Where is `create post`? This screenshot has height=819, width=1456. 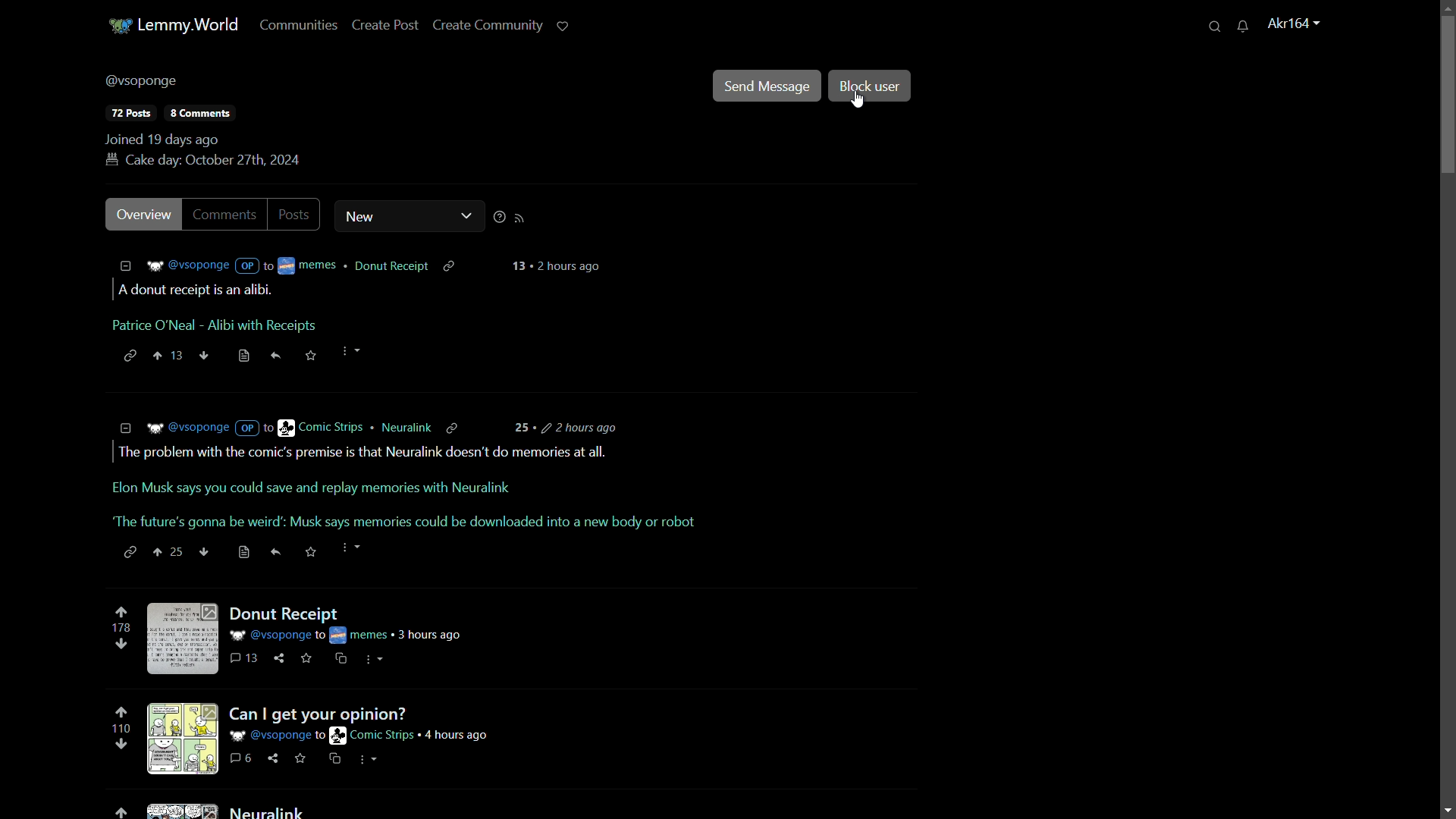 create post is located at coordinates (388, 26).